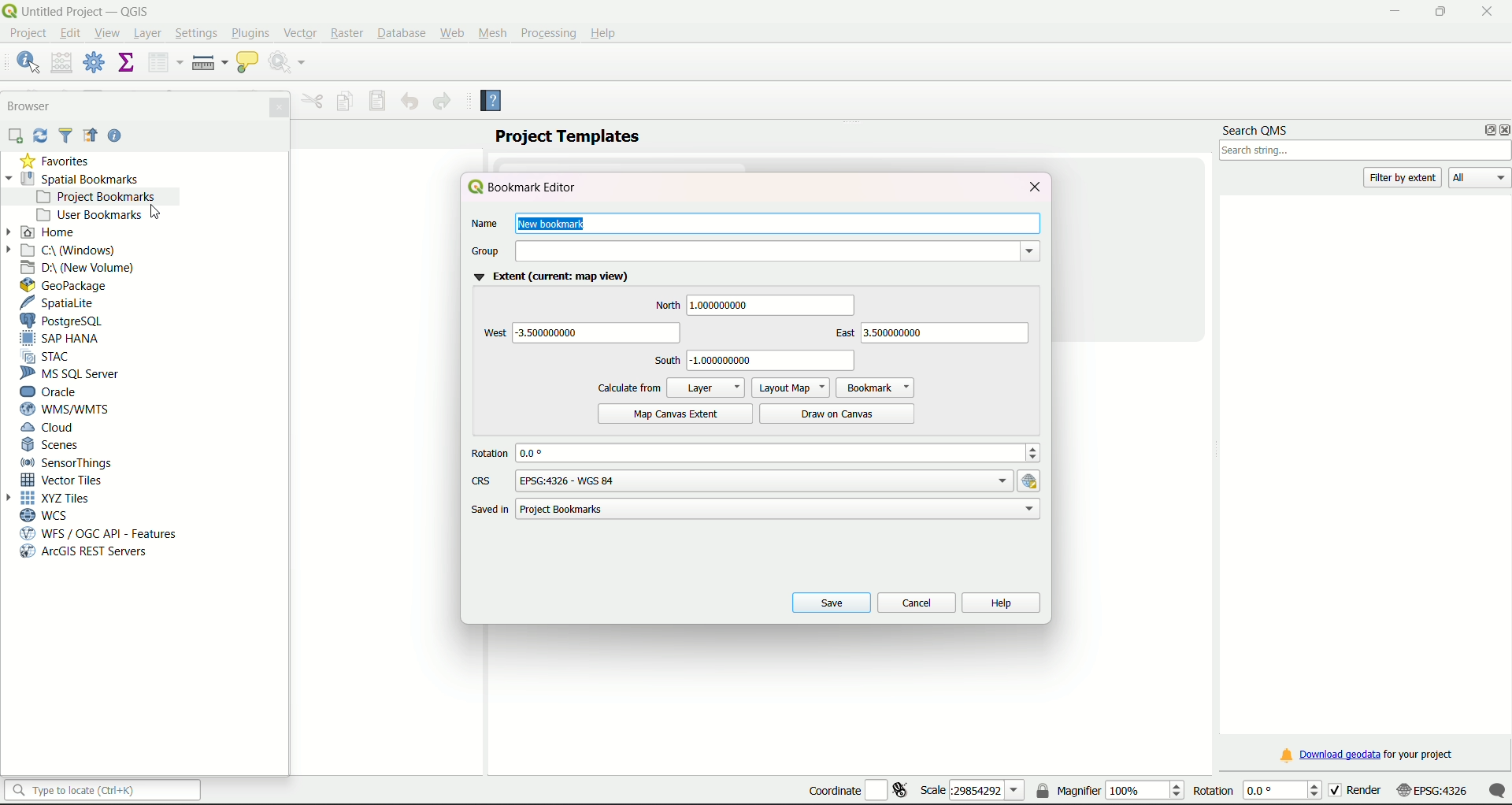  Describe the element at coordinates (627, 388) in the screenshot. I see `calculate from` at that location.